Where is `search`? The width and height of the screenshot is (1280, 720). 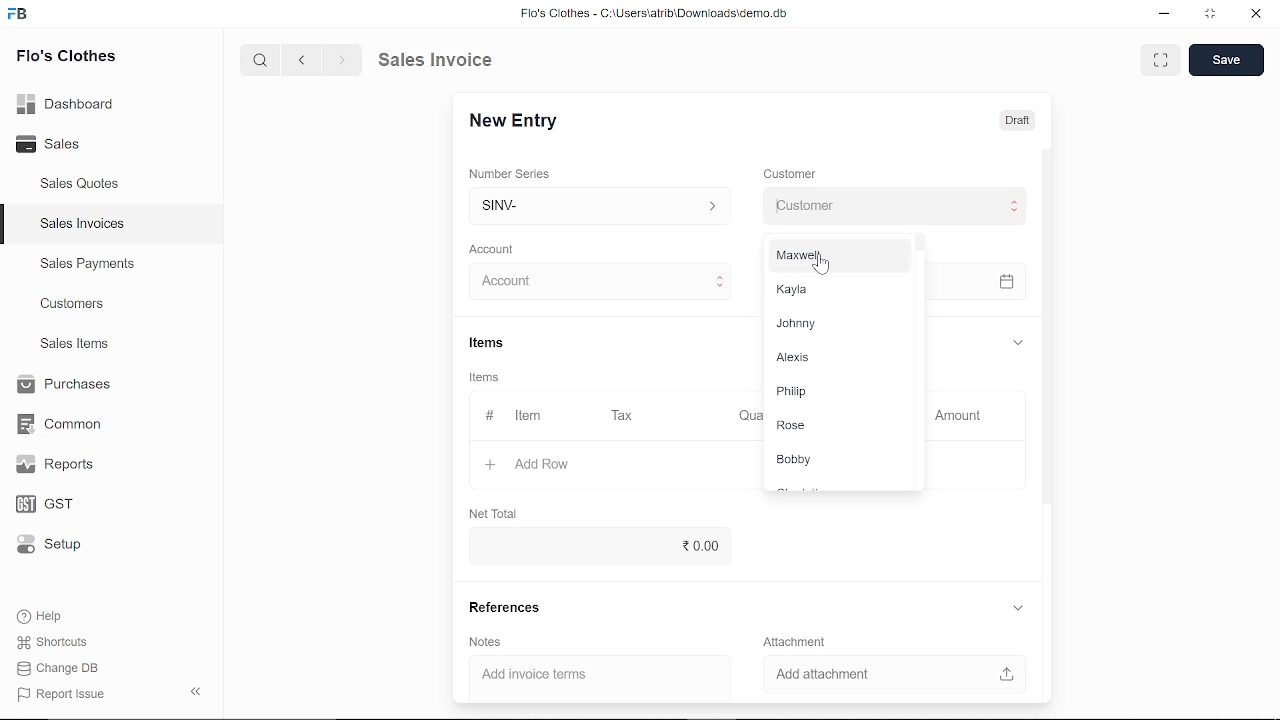
search is located at coordinates (263, 61).